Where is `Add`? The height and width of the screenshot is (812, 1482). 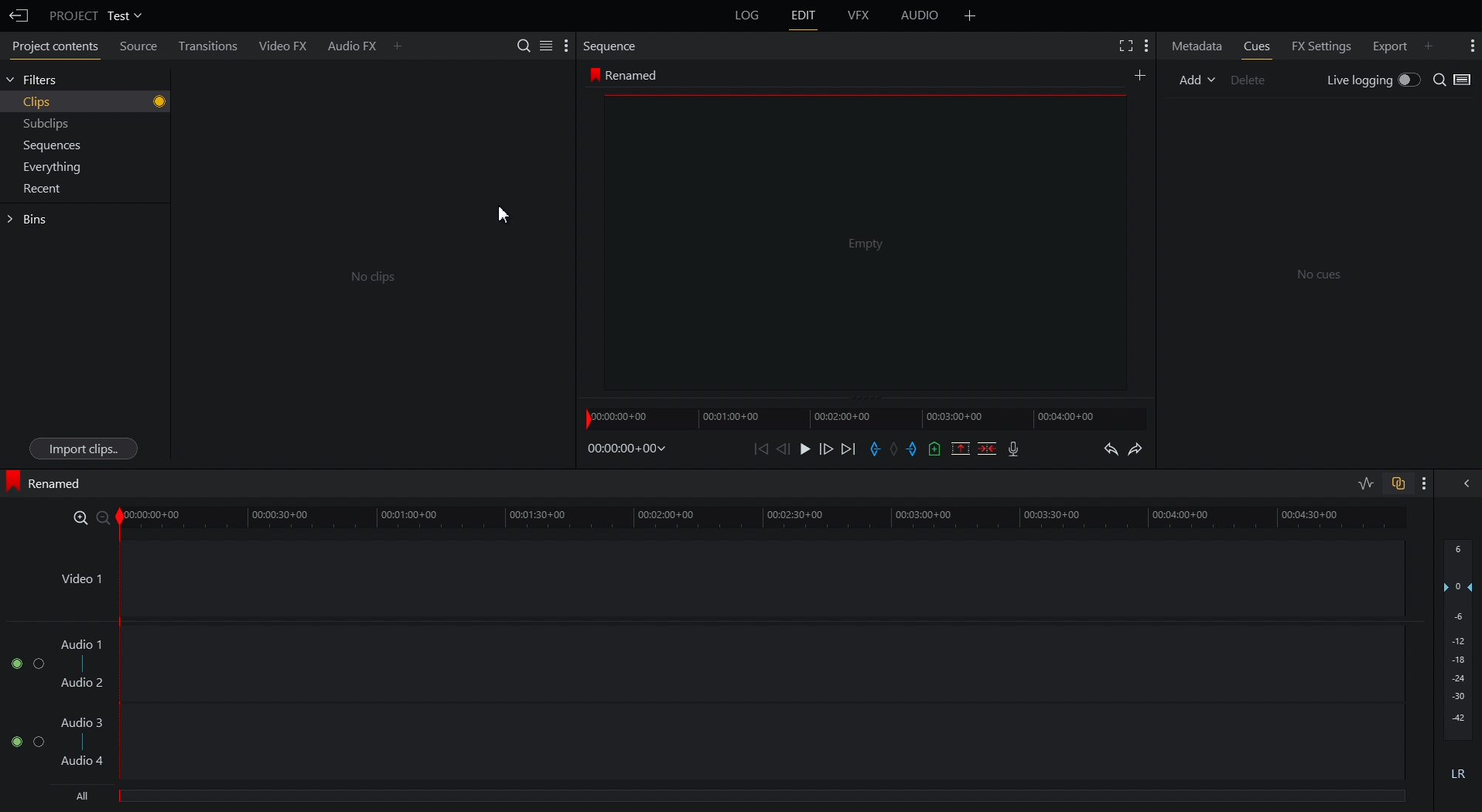 Add is located at coordinates (1142, 76).